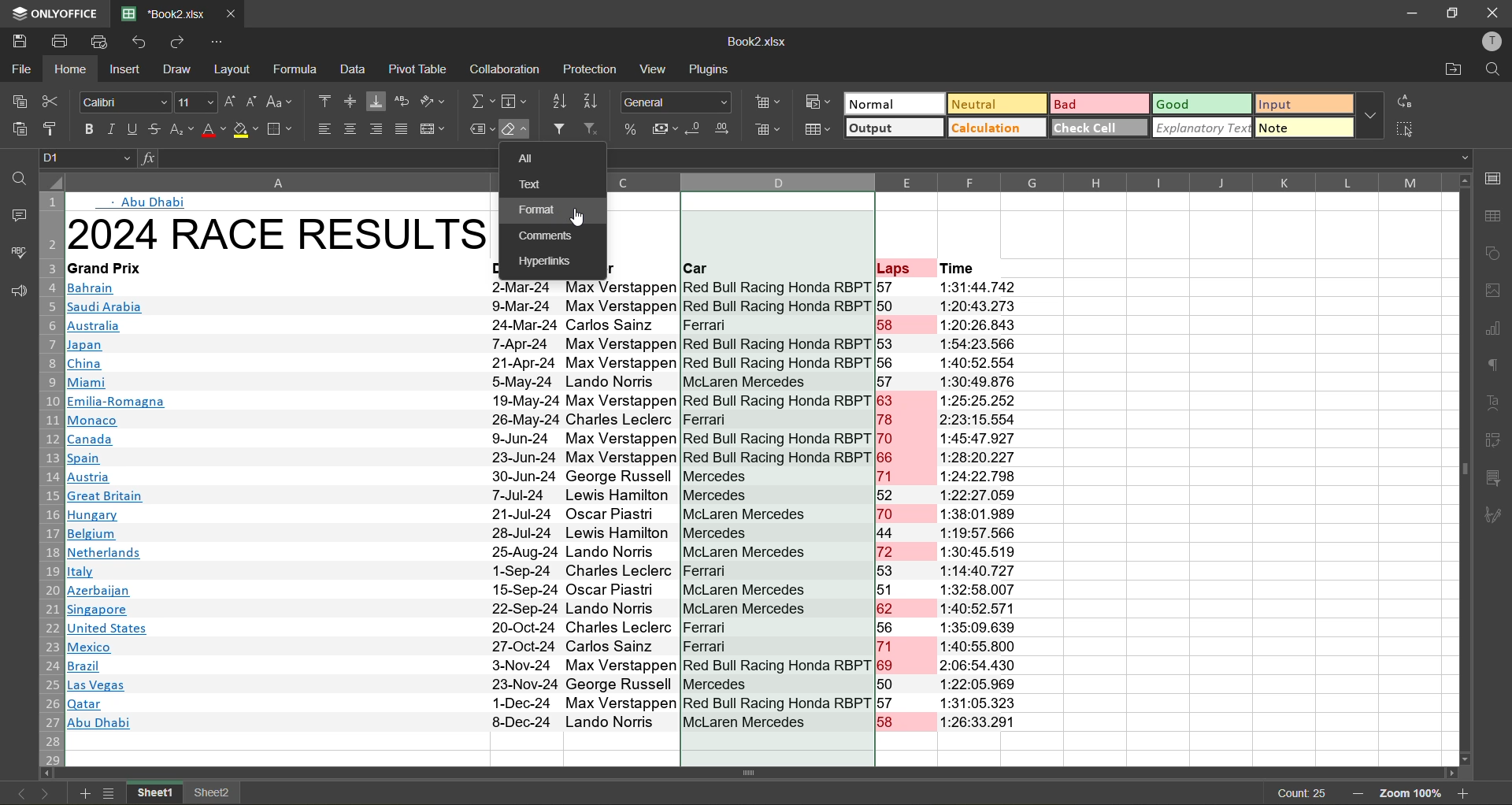  What do you see at coordinates (1200, 105) in the screenshot?
I see `good` at bounding box center [1200, 105].